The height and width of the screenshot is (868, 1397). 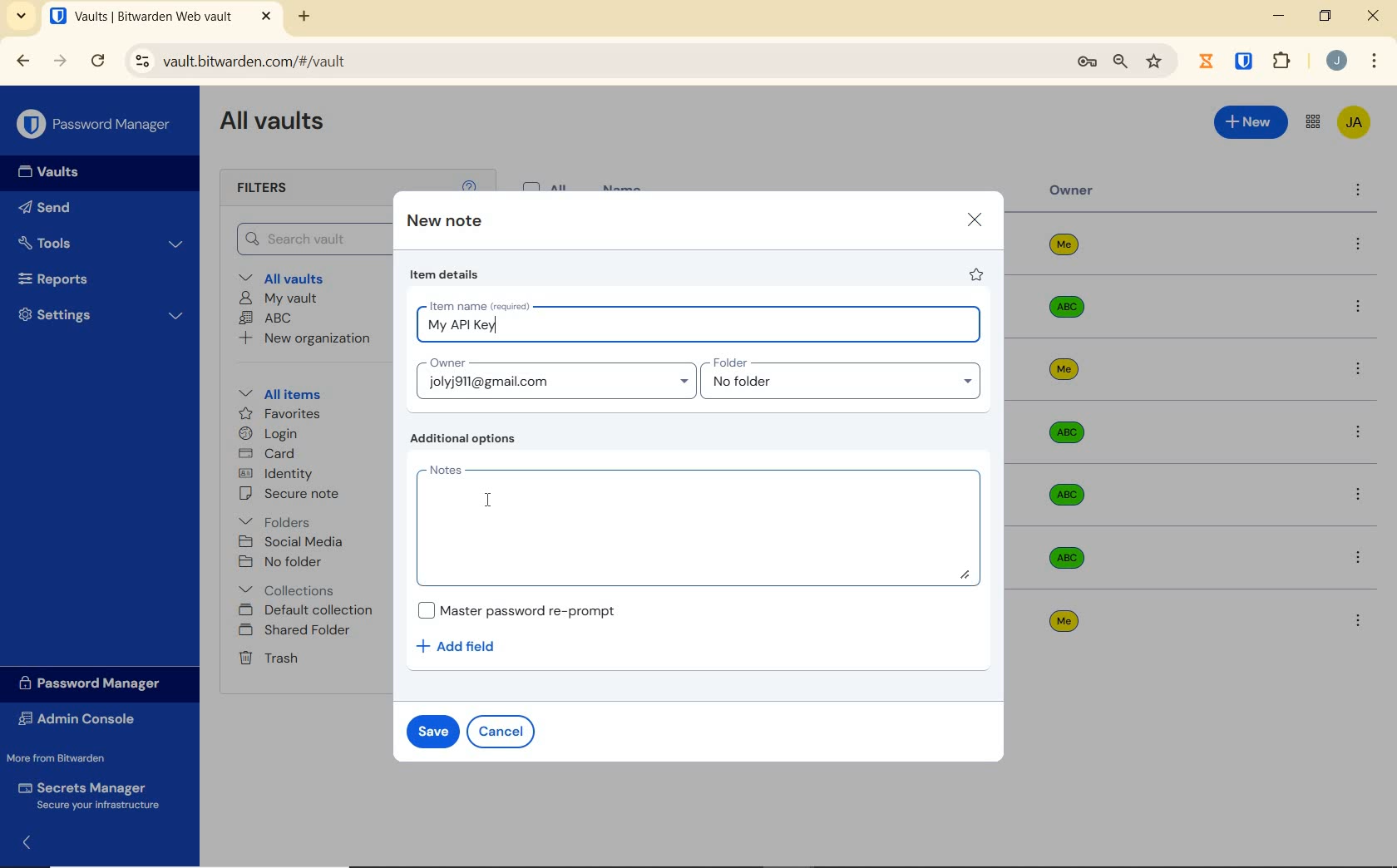 I want to click on toggle between admin console and password manager, so click(x=1311, y=122).